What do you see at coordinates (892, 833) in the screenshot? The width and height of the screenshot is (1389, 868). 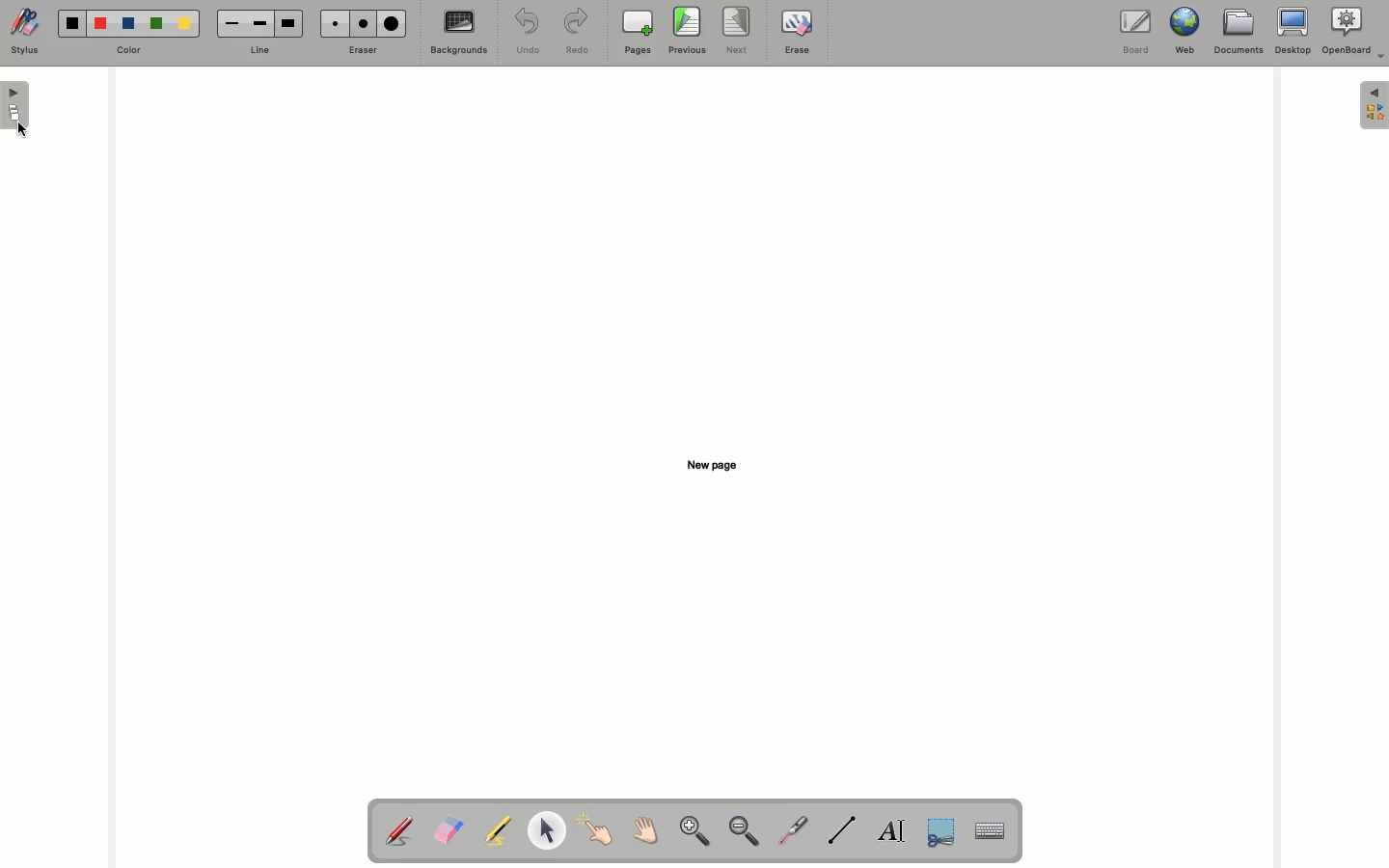 I see `Write text` at bounding box center [892, 833].